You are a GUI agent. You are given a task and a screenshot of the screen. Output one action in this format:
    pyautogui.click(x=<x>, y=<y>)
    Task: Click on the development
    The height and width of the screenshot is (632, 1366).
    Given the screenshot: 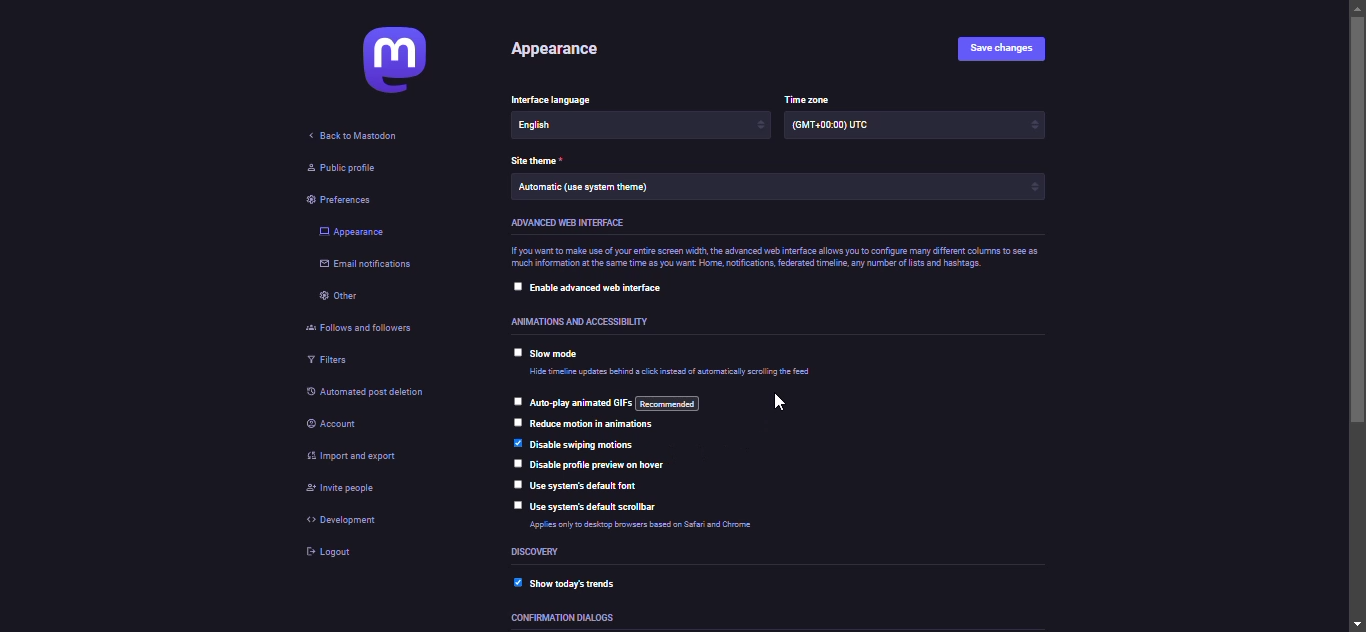 What is the action you would take?
    pyautogui.click(x=346, y=521)
    